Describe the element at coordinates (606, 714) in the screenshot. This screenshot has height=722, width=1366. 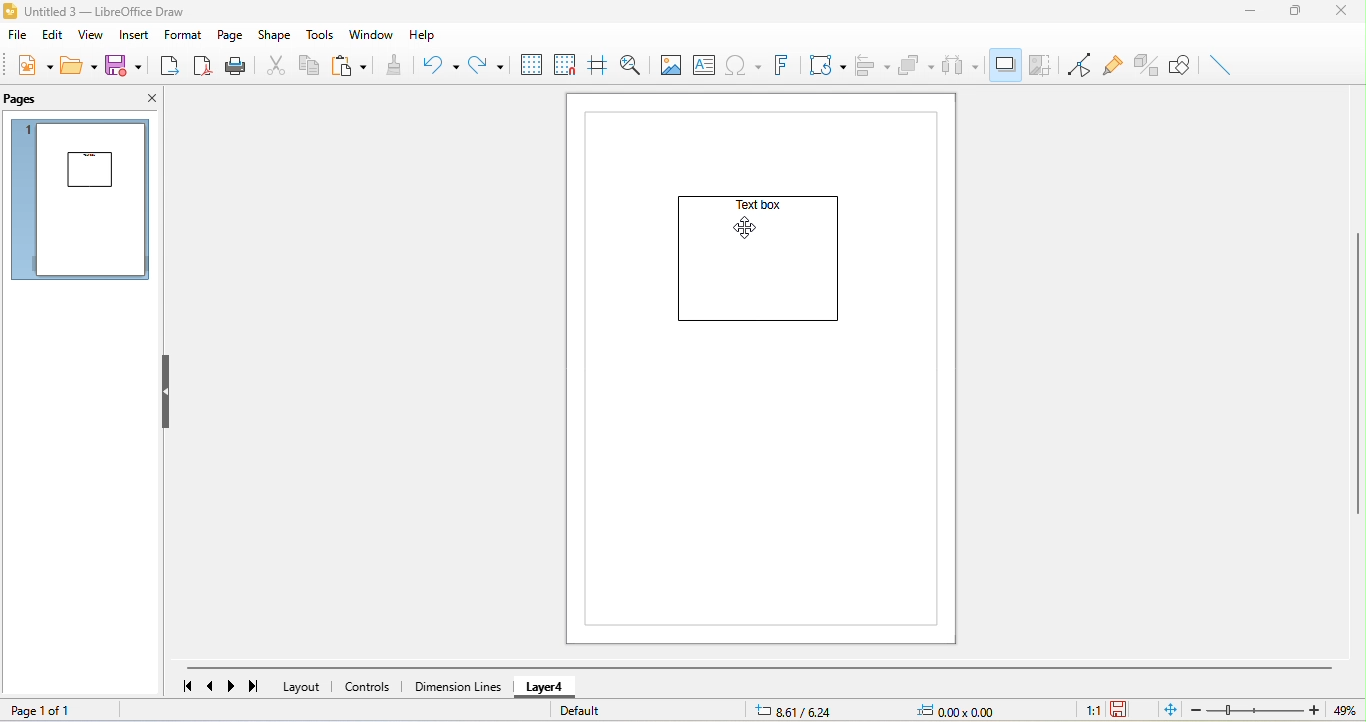
I see `default` at that location.